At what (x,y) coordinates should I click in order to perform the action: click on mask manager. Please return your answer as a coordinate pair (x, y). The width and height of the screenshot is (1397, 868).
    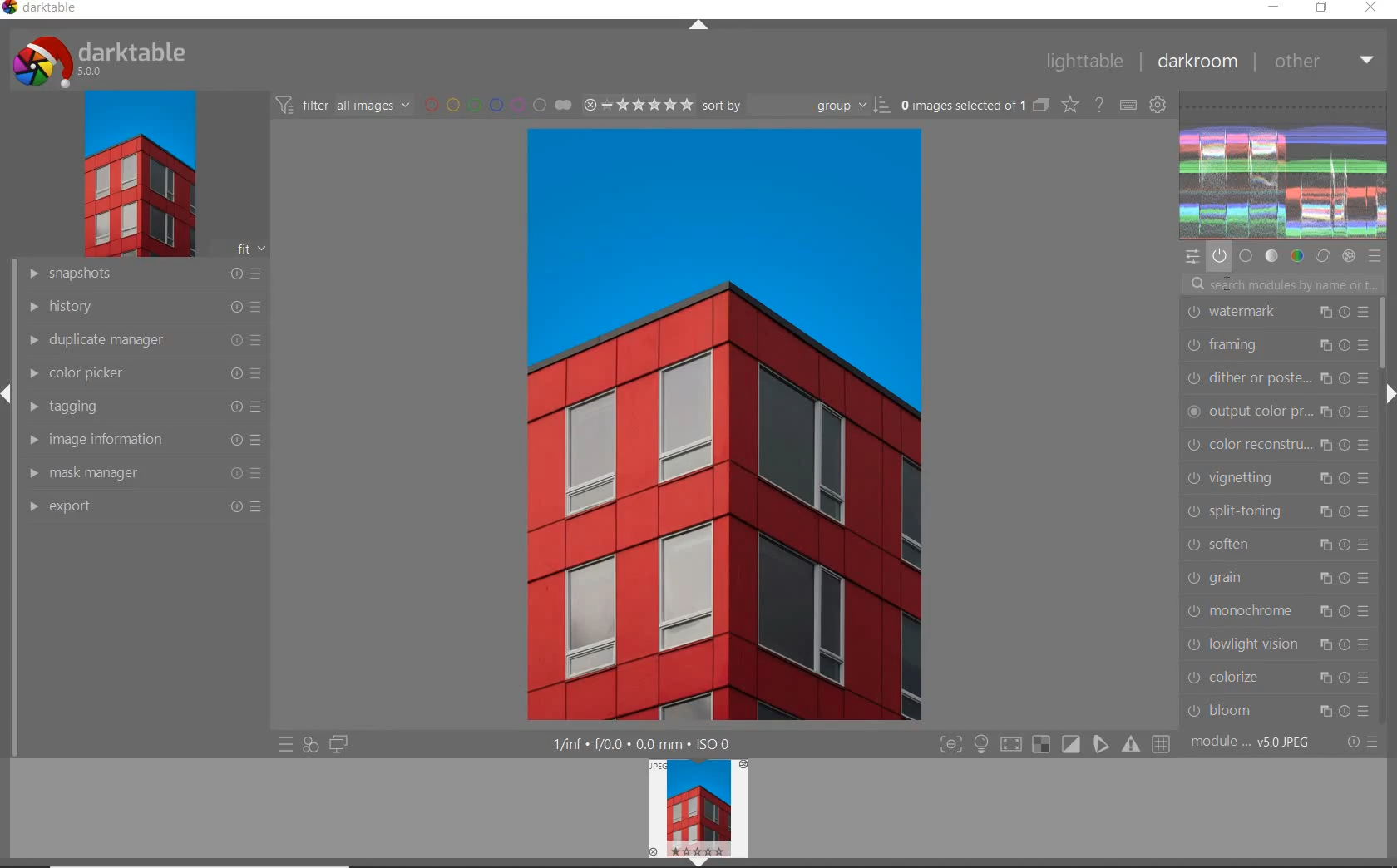
    Looking at the image, I should click on (146, 474).